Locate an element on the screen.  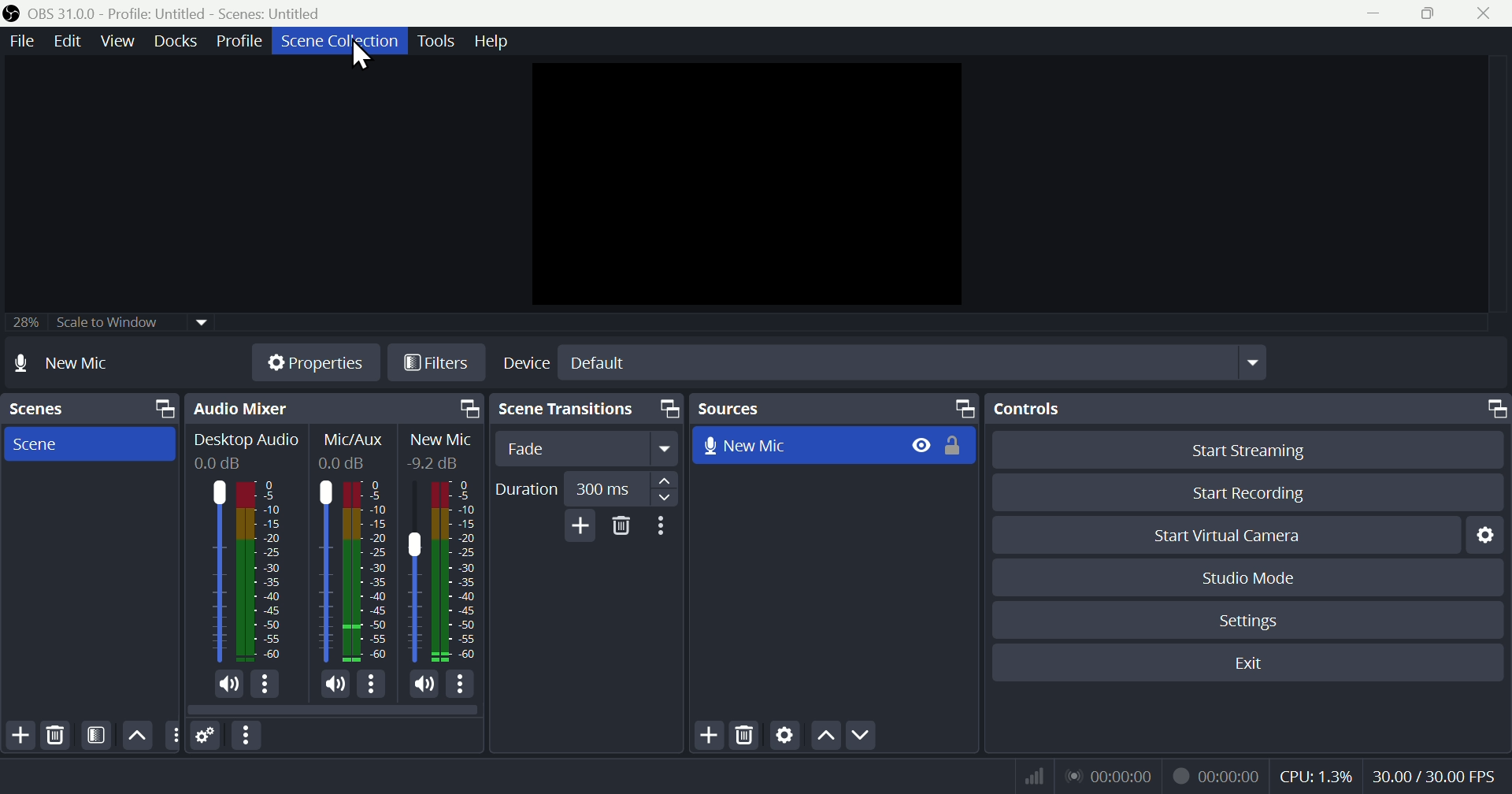
Filters is located at coordinates (440, 363).